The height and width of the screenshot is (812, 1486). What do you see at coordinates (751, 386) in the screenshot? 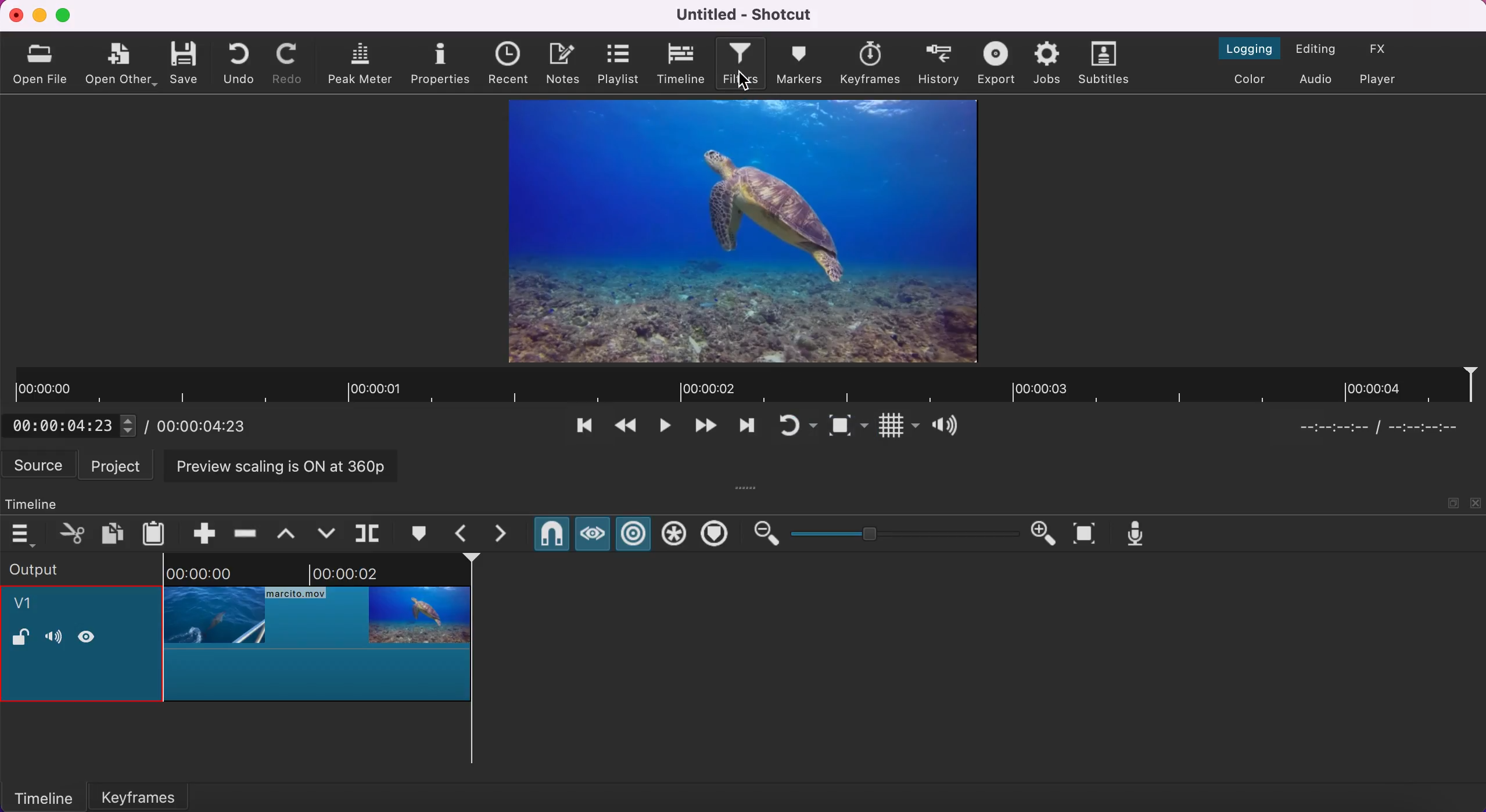
I see `clip duration` at bounding box center [751, 386].